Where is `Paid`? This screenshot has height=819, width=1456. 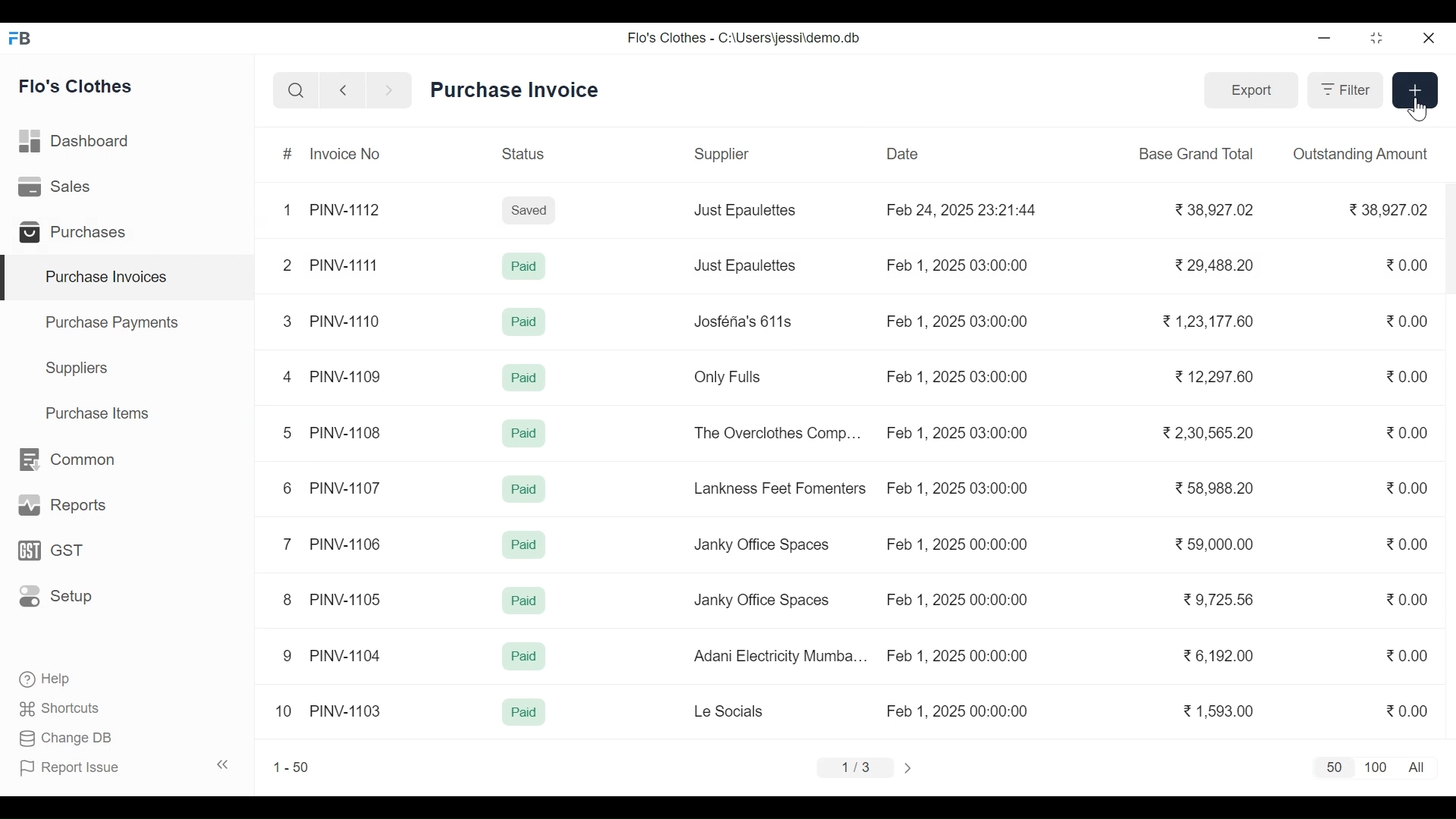 Paid is located at coordinates (526, 490).